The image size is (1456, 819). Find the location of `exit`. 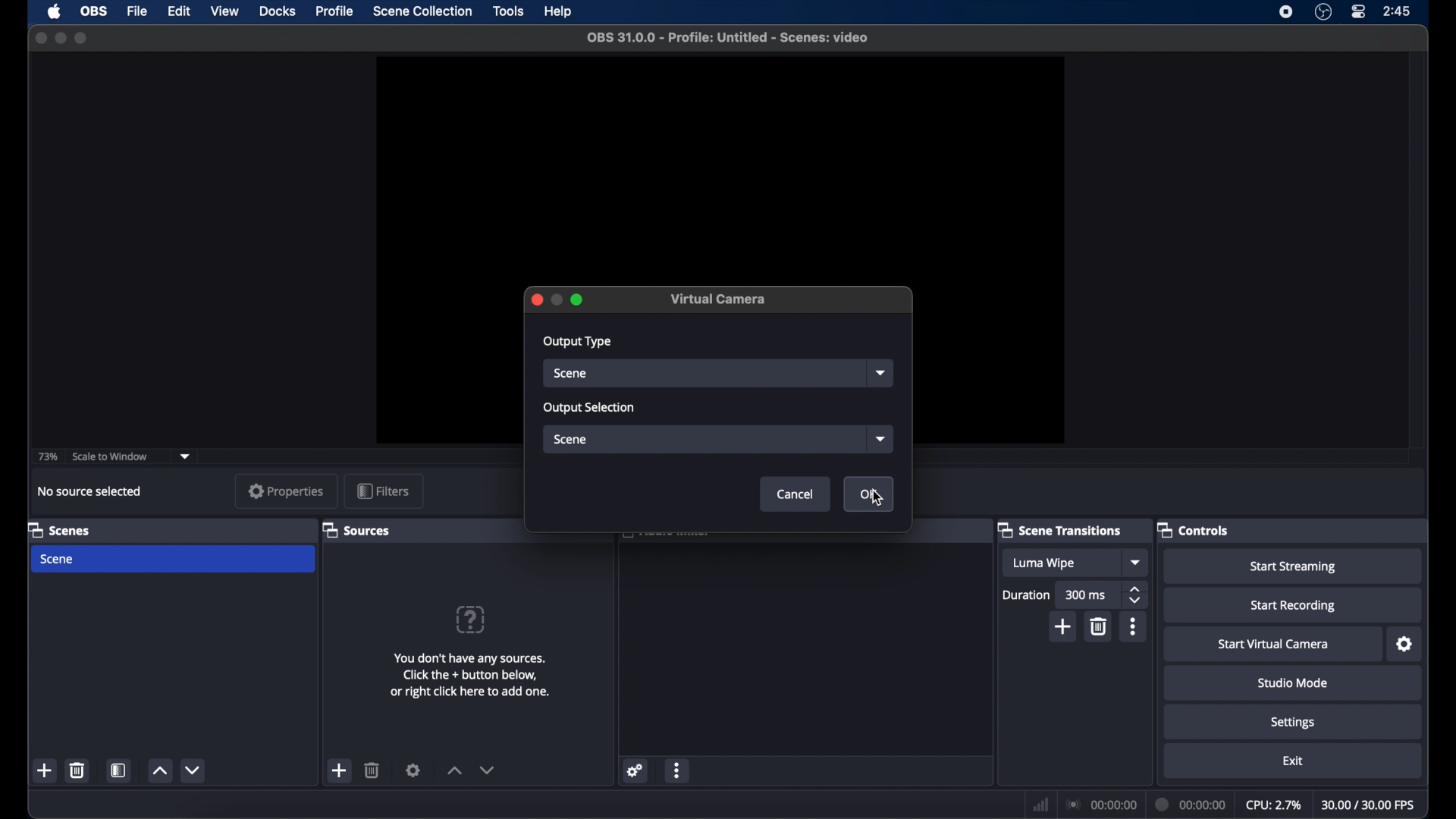

exit is located at coordinates (1293, 761).